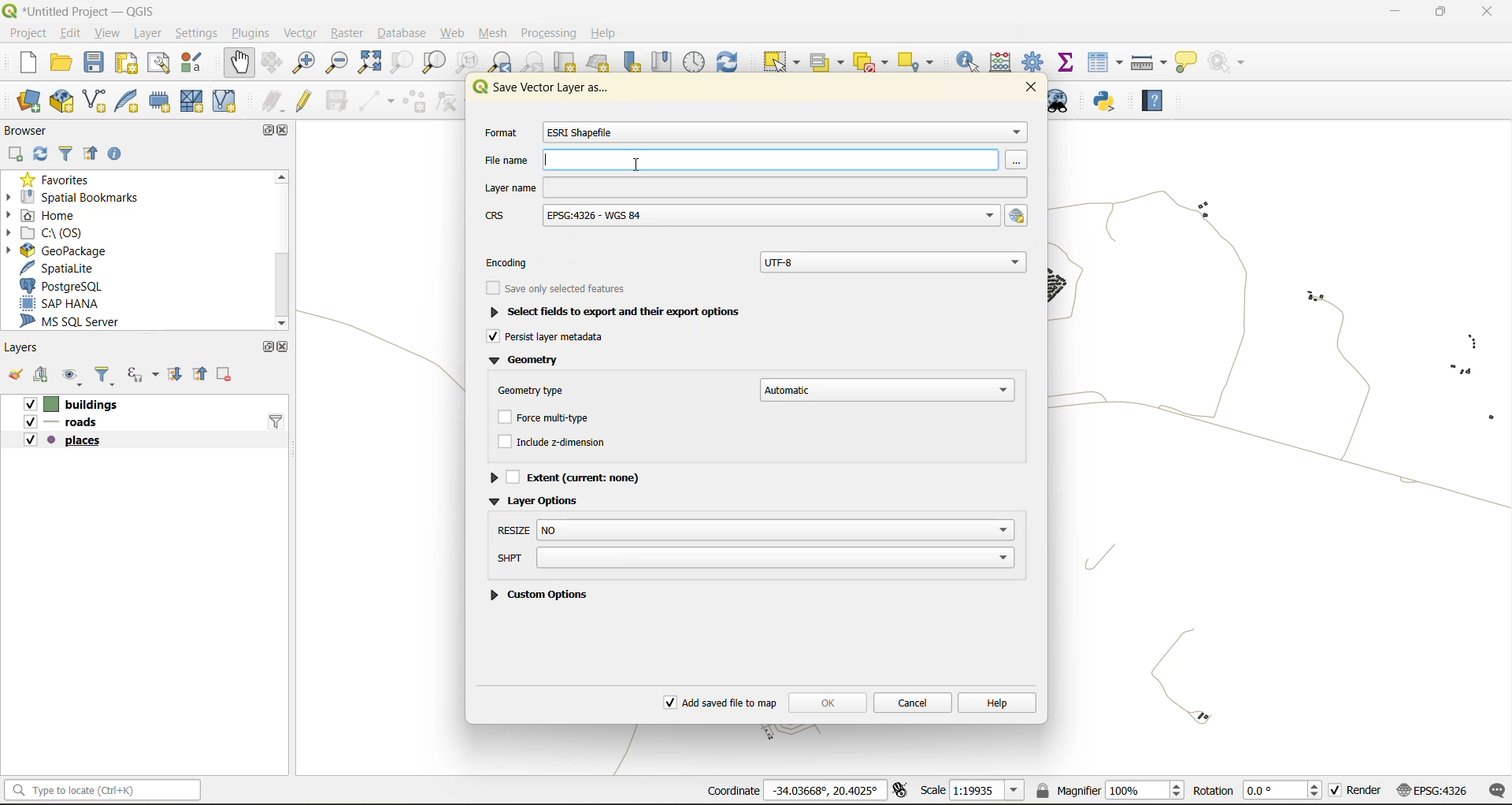 The height and width of the screenshot is (805, 1512). Describe the element at coordinates (1397, 14) in the screenshot. I see `minimize` at that location.